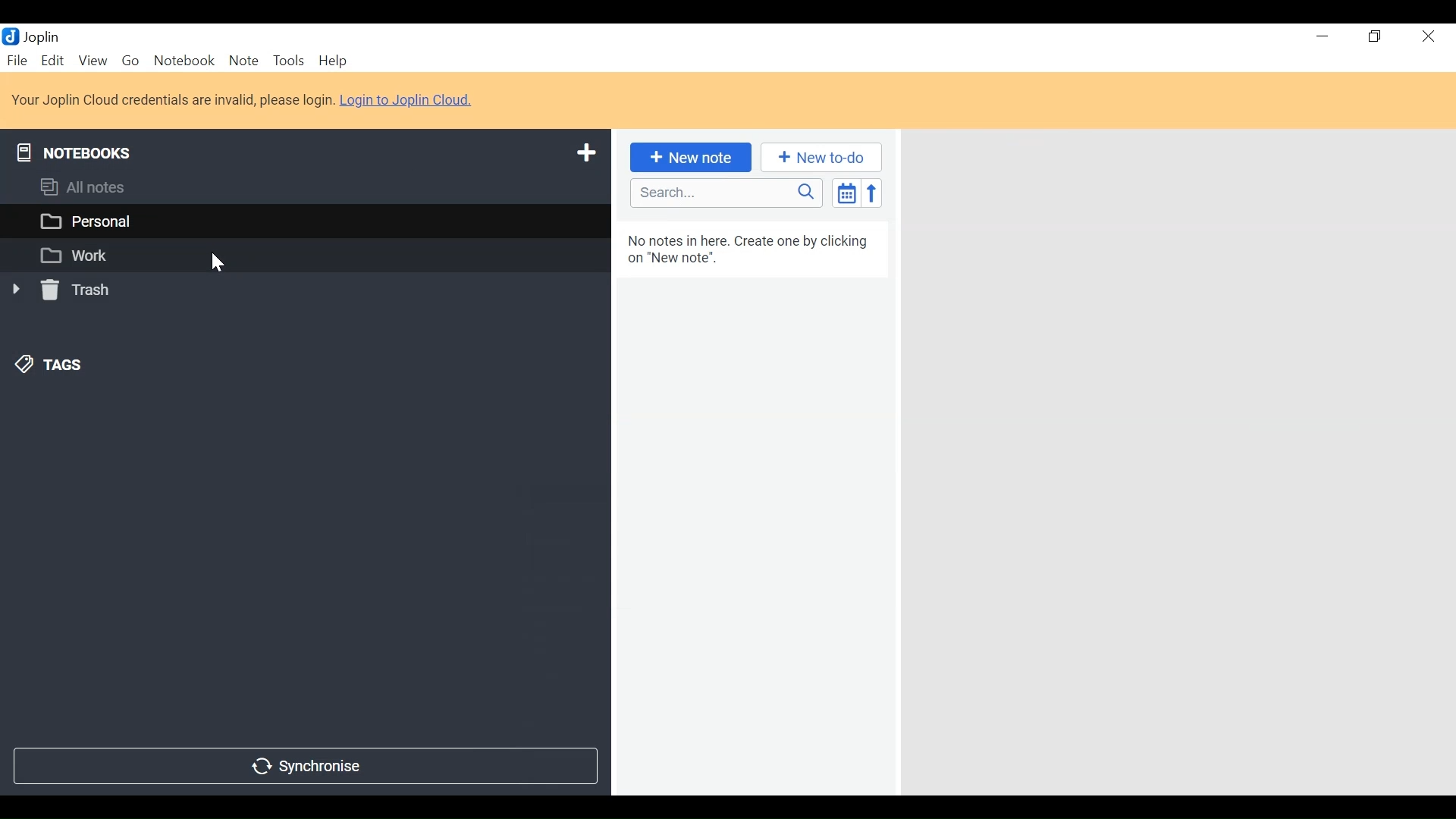 This screenshot has width=1456, height=819. What do you see at coordinates (821, 157) in the screenshot?
I see `Add a New to do` at bounding box center [821, 157].